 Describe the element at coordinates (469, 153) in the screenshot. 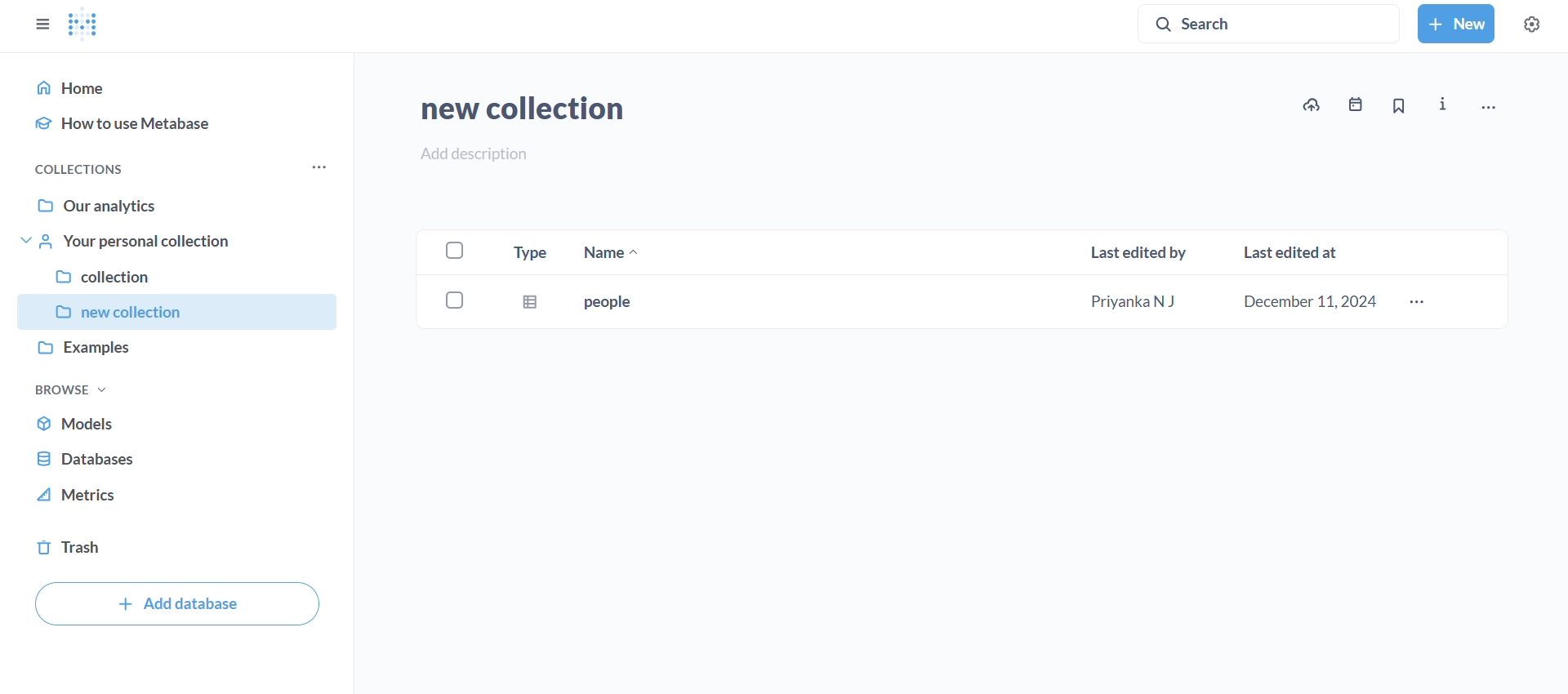

I see `add description` at that location.